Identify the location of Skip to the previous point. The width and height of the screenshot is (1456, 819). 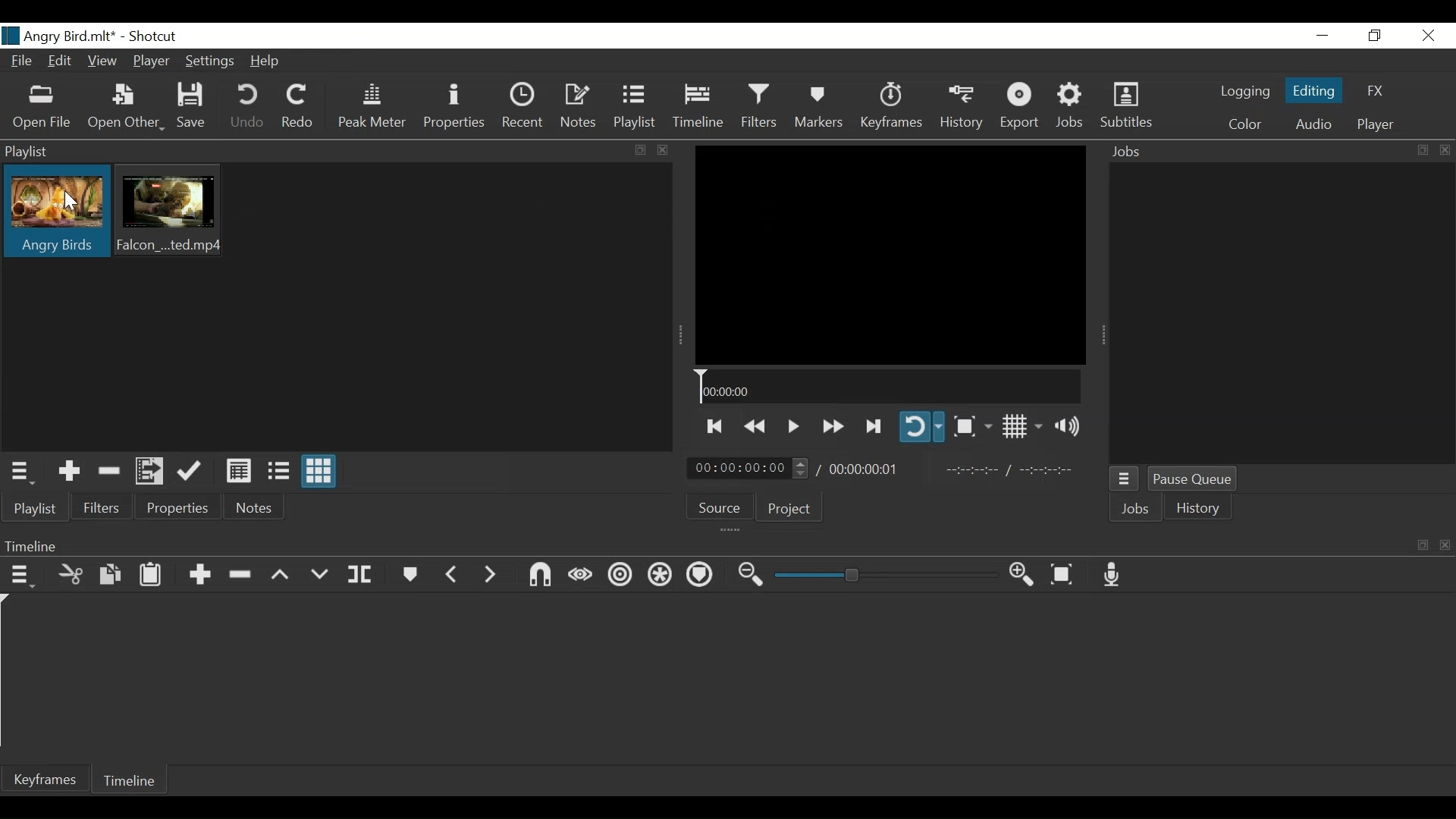
(715, 425).